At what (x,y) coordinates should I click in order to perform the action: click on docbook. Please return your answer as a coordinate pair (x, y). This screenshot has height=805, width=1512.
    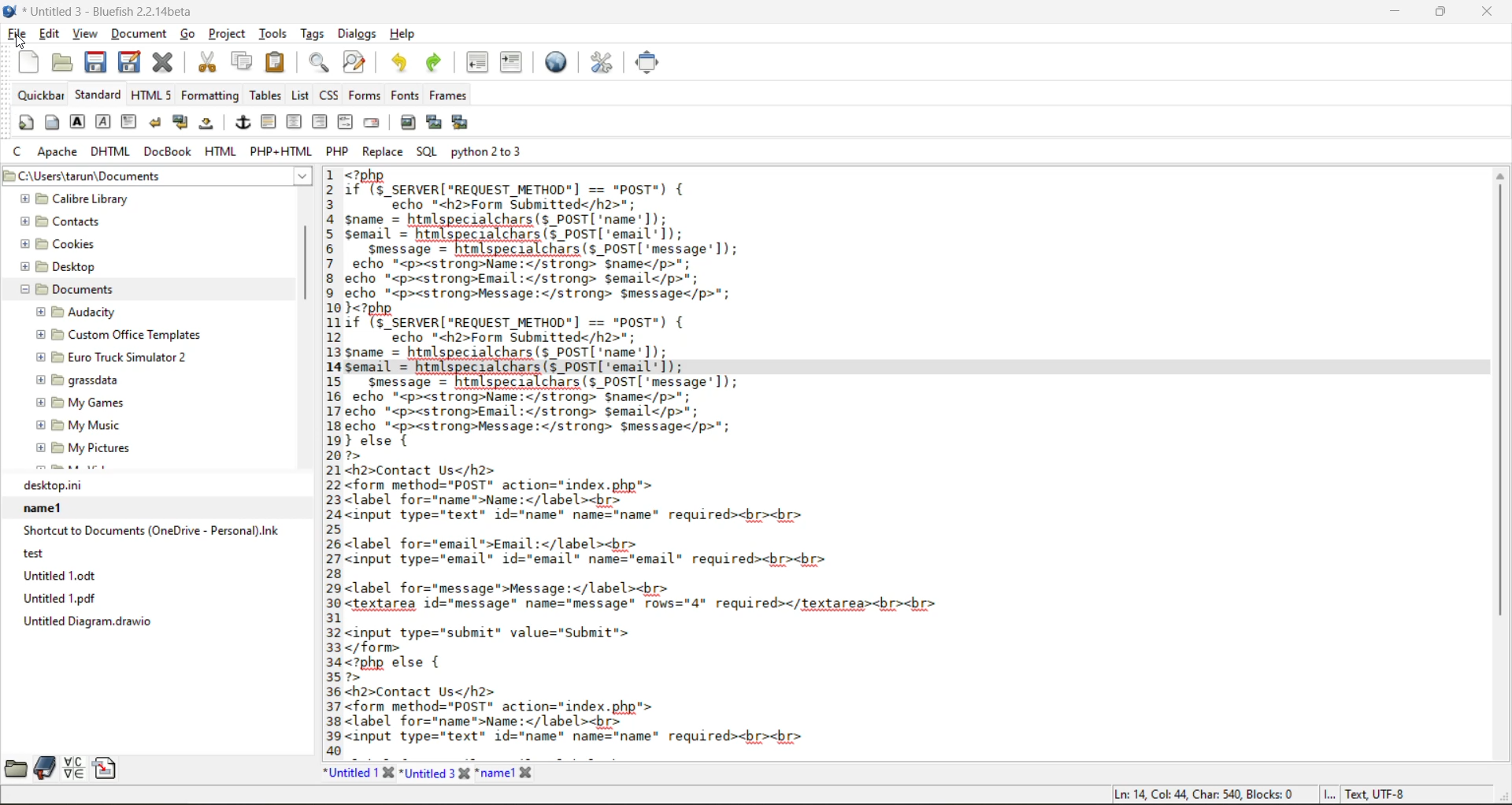
    Looking at the image, I should click on (169, 153).